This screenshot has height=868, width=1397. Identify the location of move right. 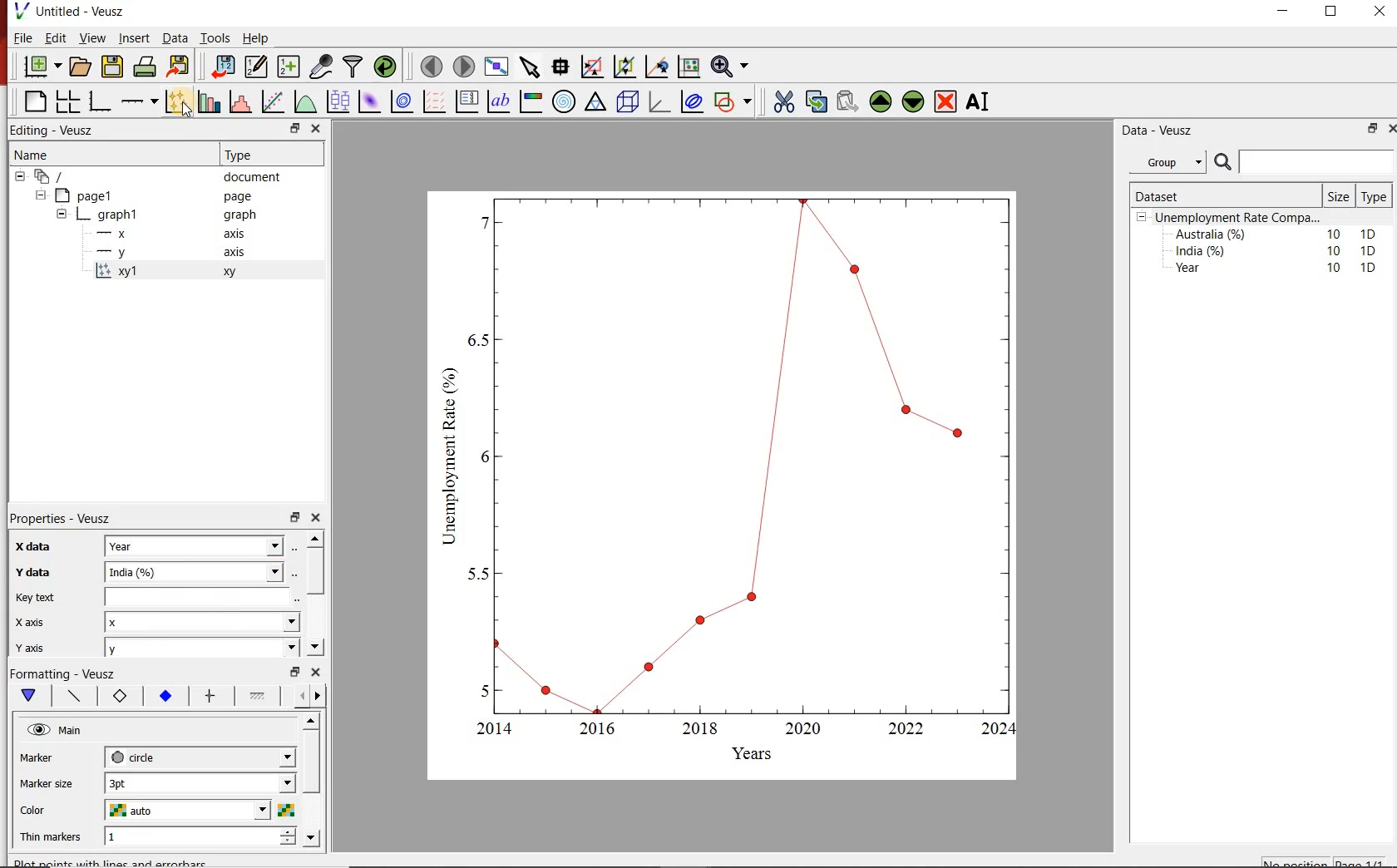
(317, 696).